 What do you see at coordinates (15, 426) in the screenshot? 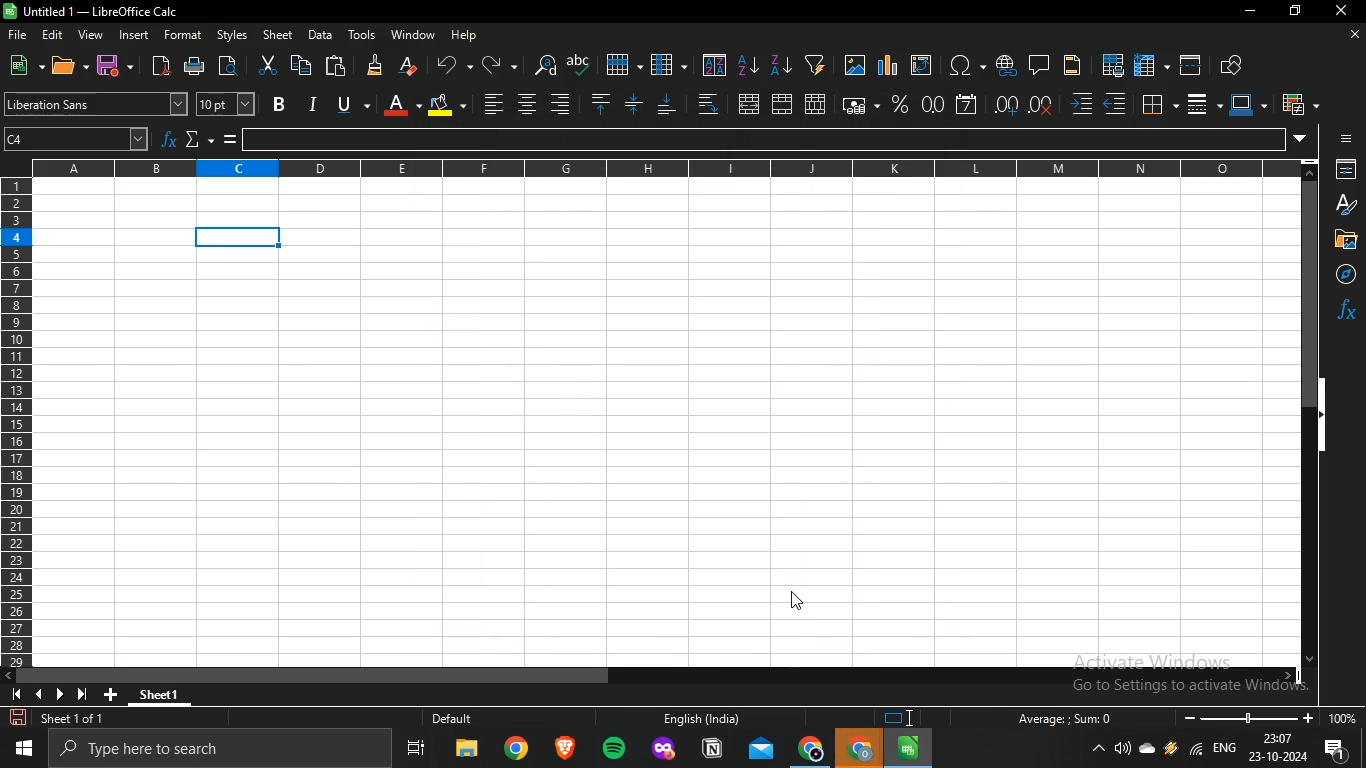
I see `row` at bounding box center [15, 426].